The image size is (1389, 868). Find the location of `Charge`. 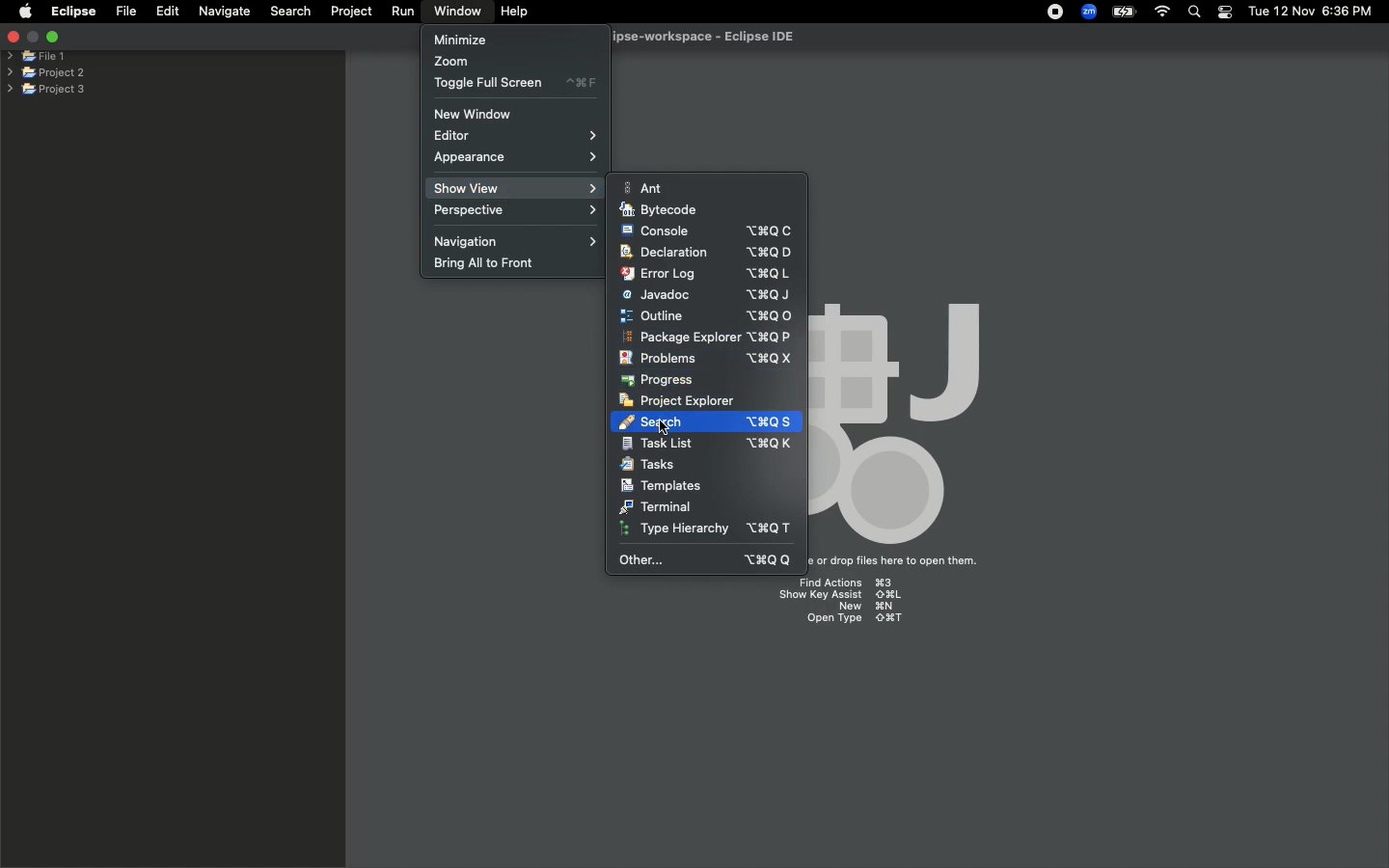

Charge is located at coordinates (1122, 12).